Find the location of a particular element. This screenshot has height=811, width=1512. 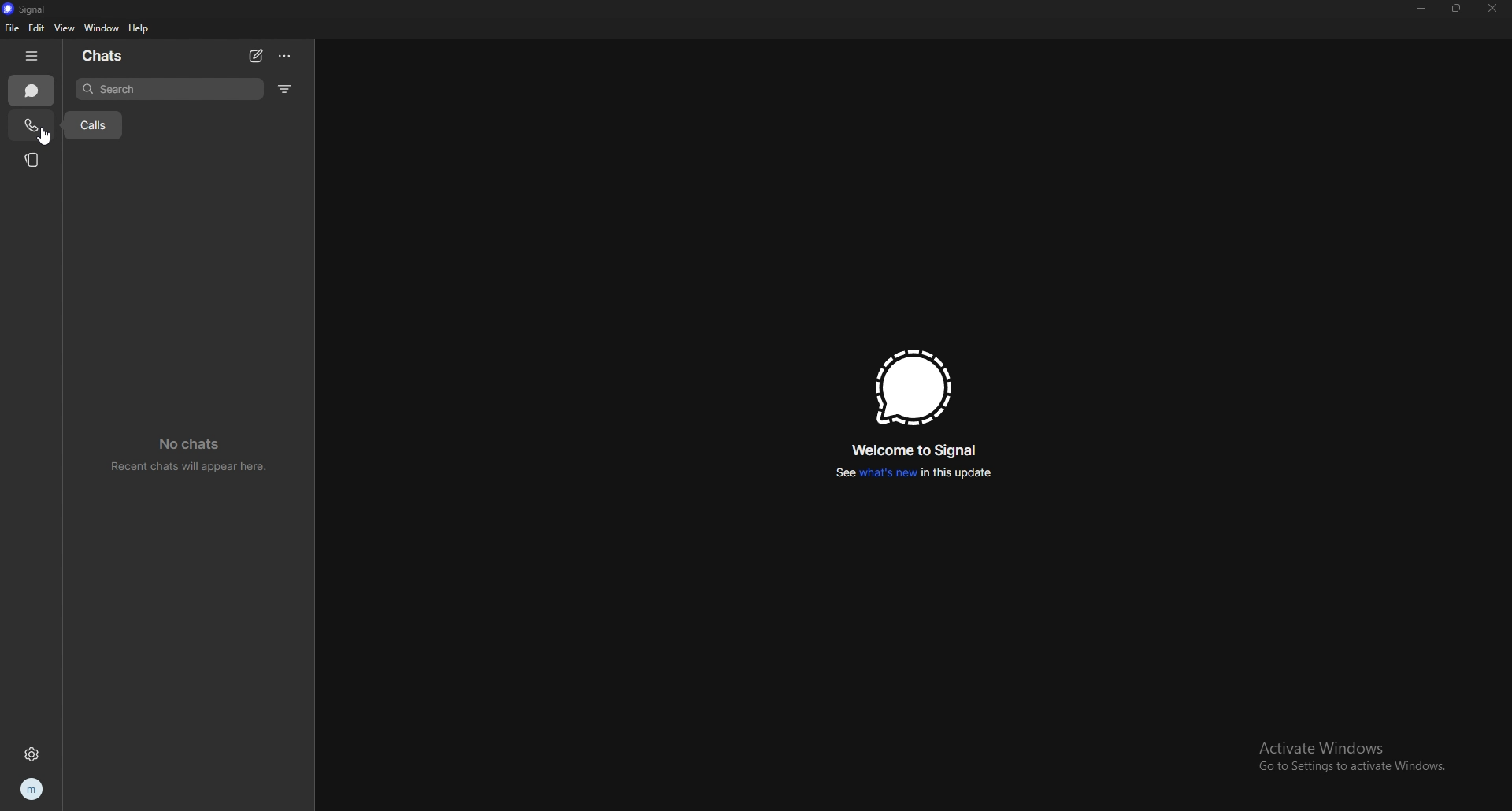

see whats new in this updater is located at coordinates (910, 474).